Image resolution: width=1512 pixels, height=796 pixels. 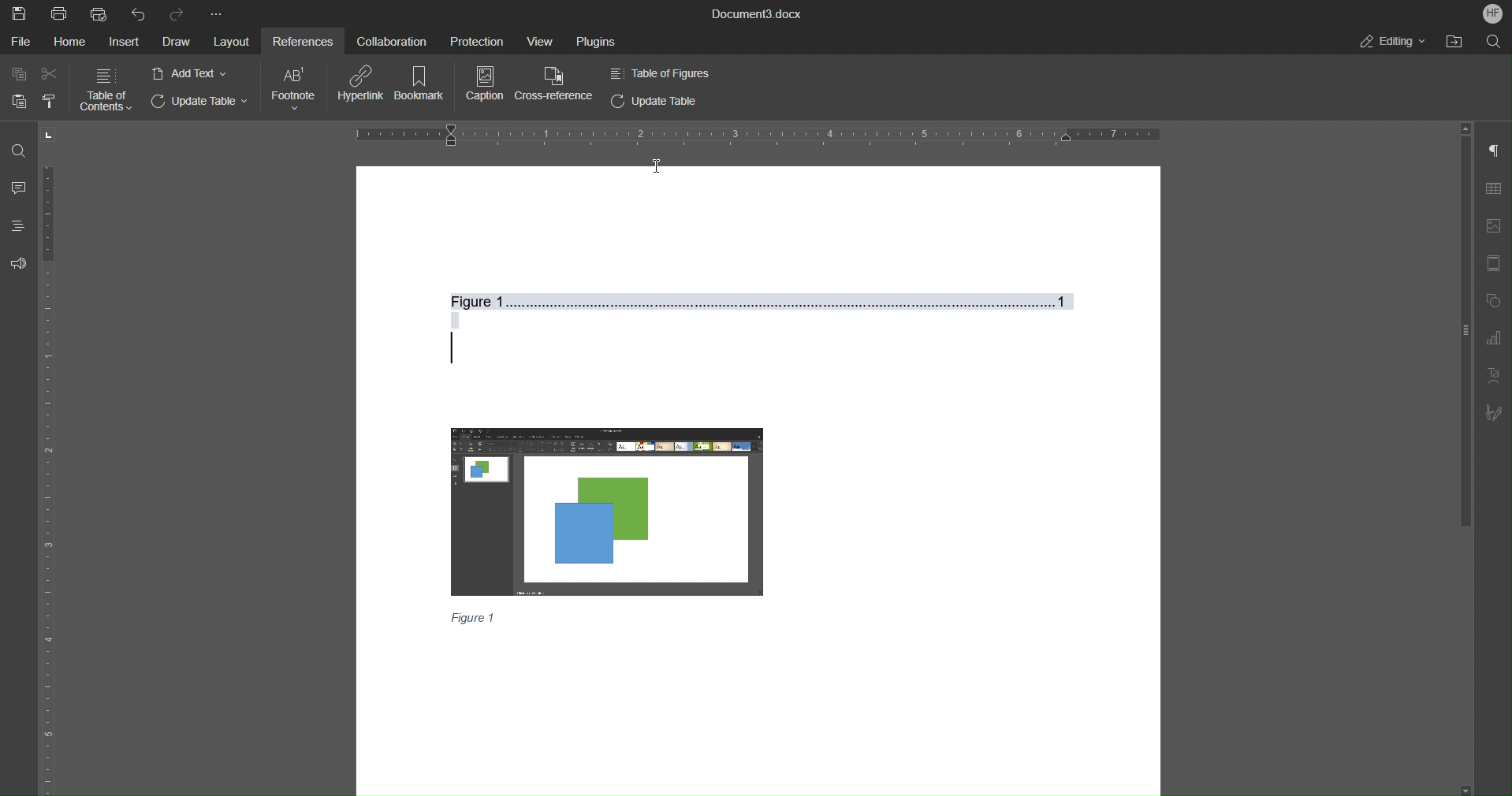 I want to click on Editing, so click(x=1392, y=42).